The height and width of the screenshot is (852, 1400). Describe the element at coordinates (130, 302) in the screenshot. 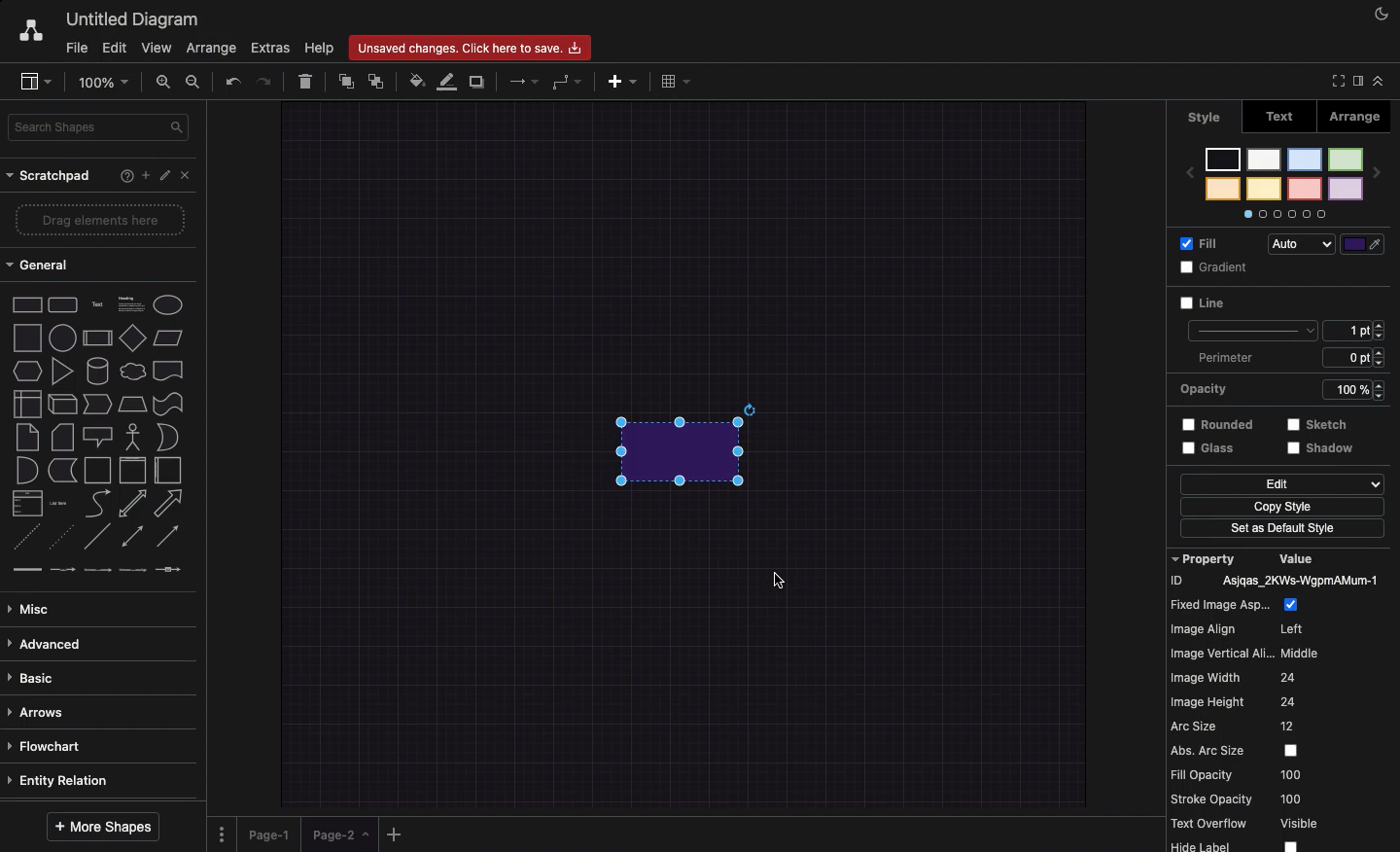

I see `heading` at that location.